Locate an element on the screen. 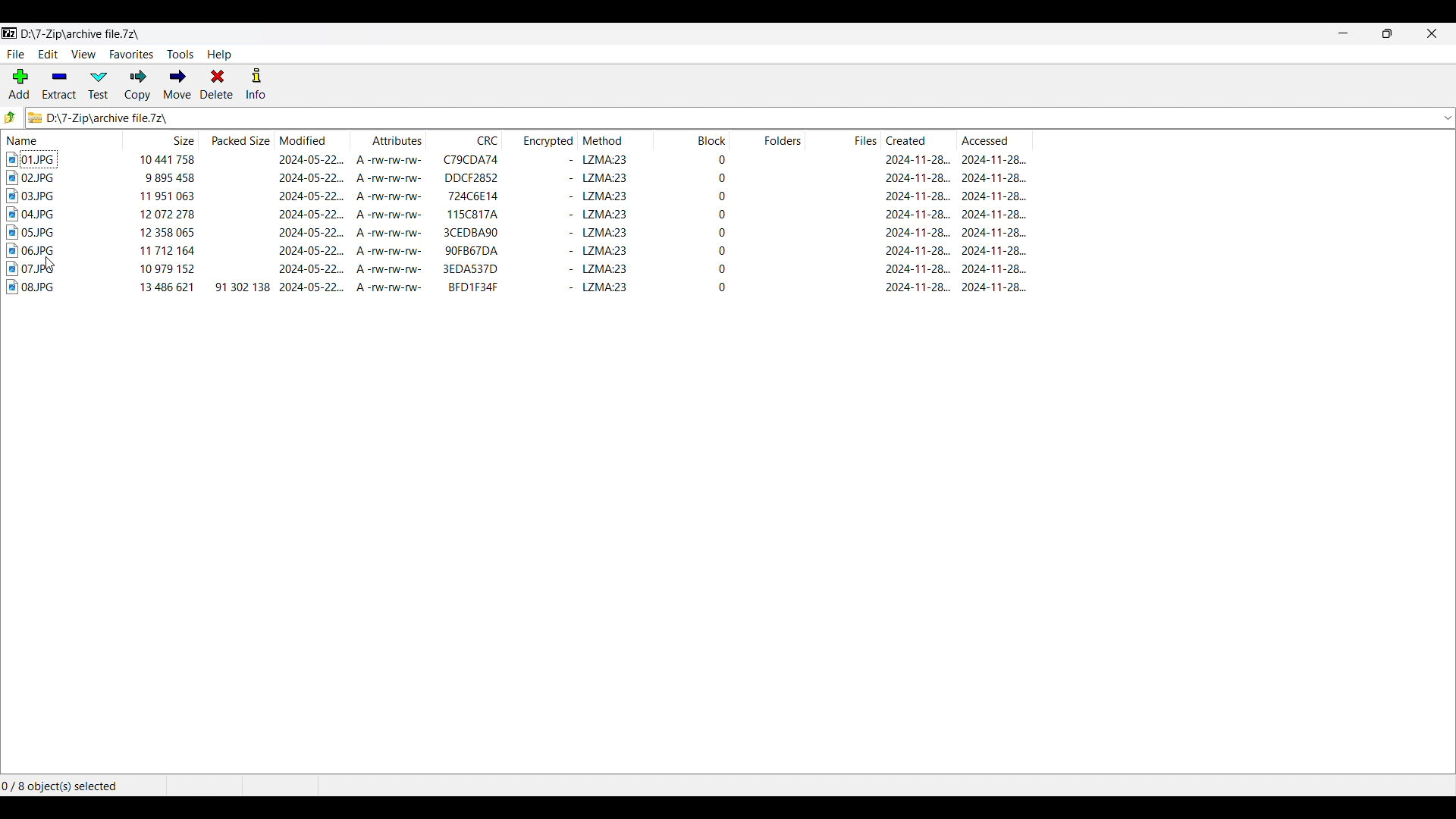 The width and height of the screenshot is (1456, 819). packed size is located at coordinates (243, 287).